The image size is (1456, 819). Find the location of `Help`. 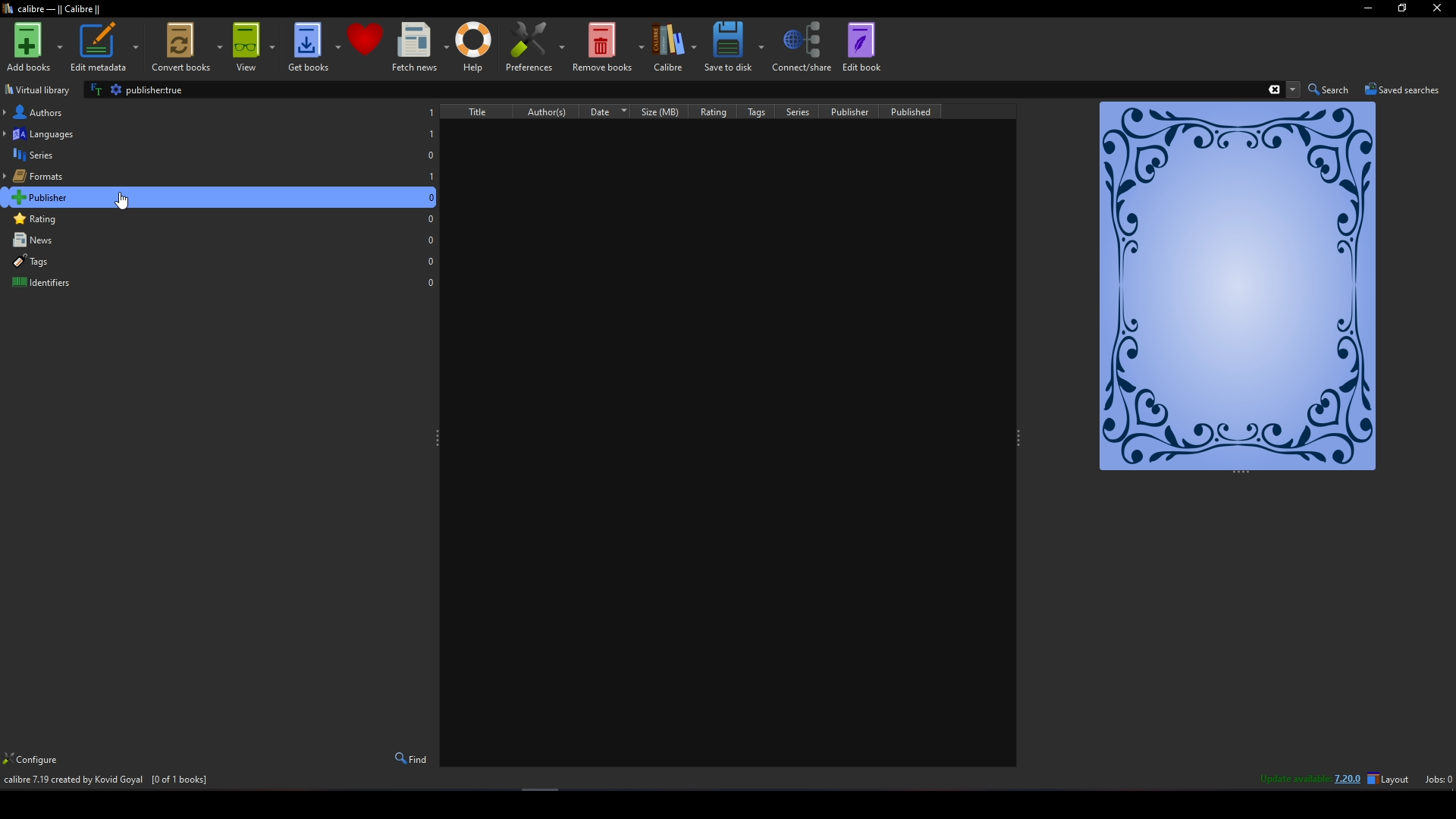

Help is located at coordinates (474, 46).